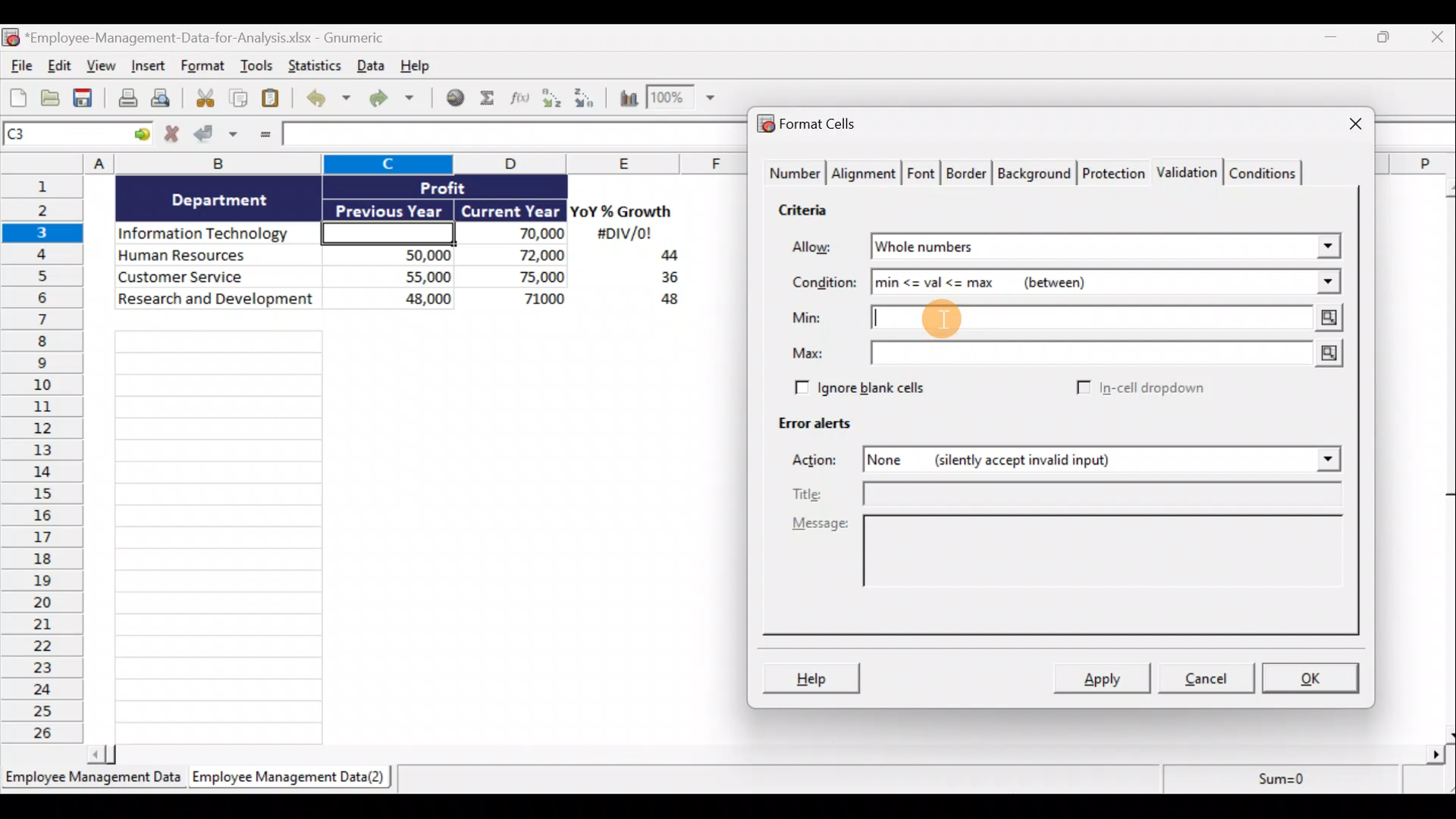  What do you see at coordinates (257, 67) in the screenshot?
I see `Tools` at bounding box center [257, 67].